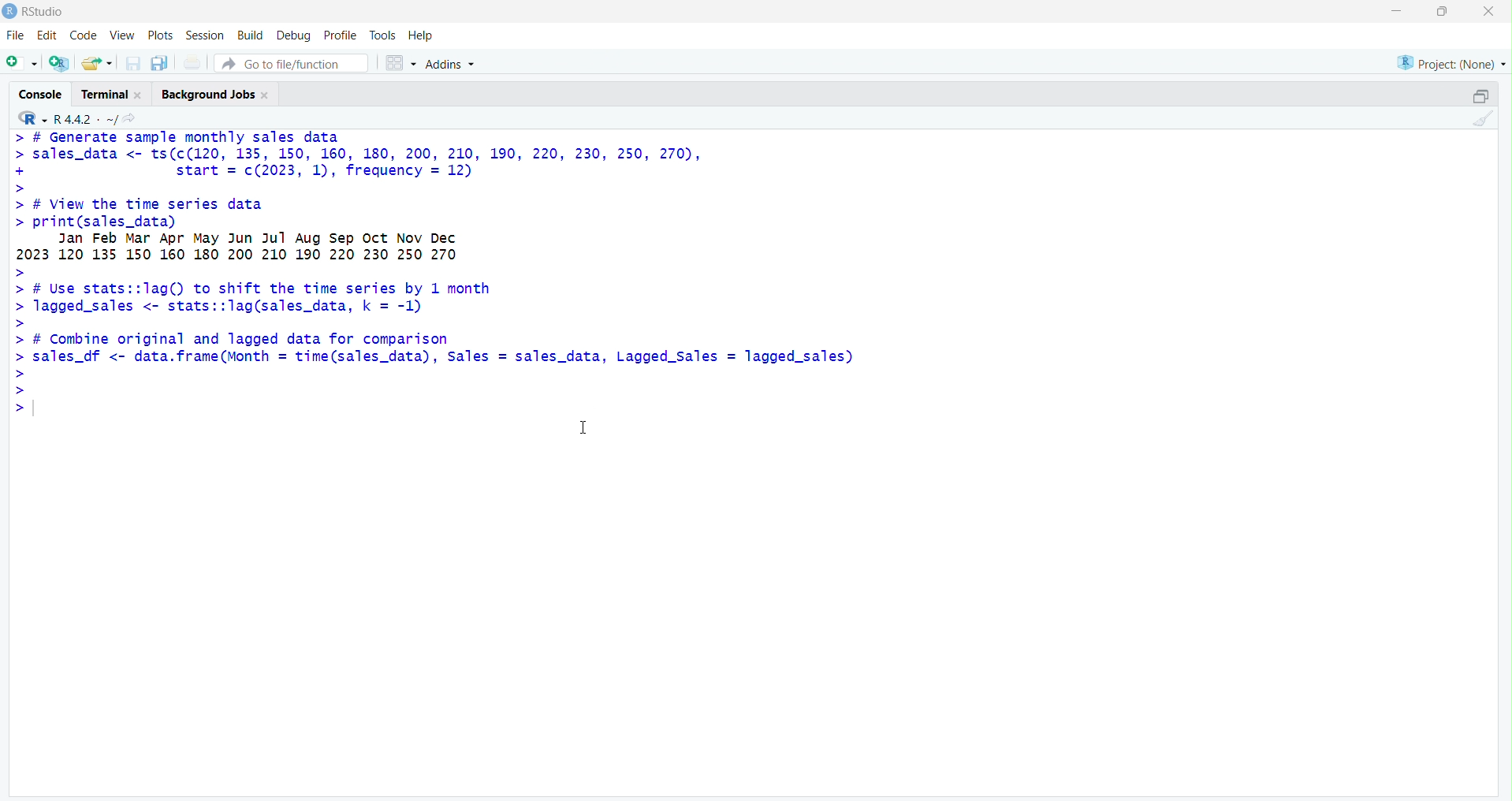 This screenshot has height=801, width=1512. I want to click on R 4.4.2, so click(68, 119).